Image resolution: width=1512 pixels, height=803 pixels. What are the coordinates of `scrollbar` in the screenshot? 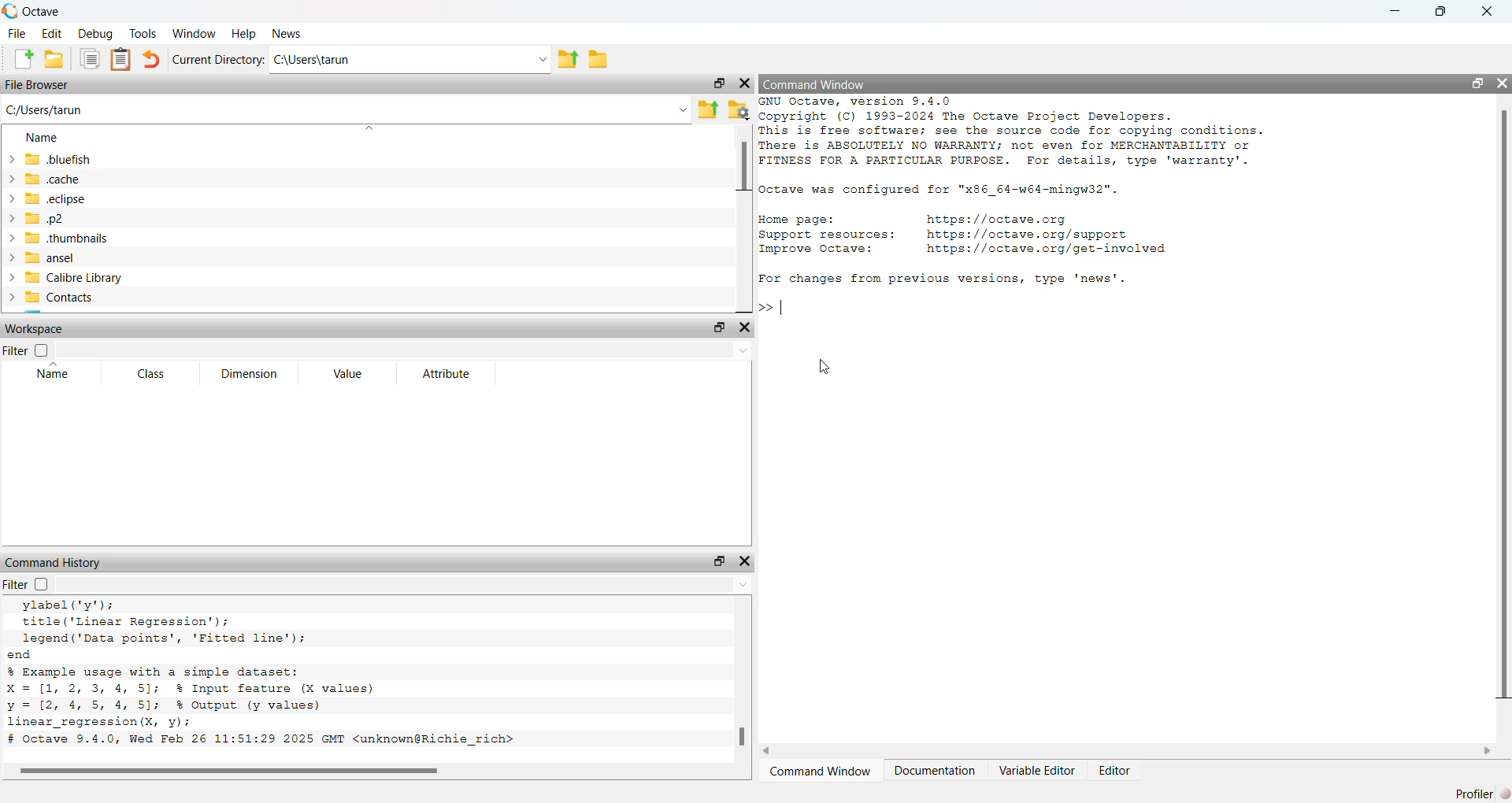 It's located at (1503, 410).